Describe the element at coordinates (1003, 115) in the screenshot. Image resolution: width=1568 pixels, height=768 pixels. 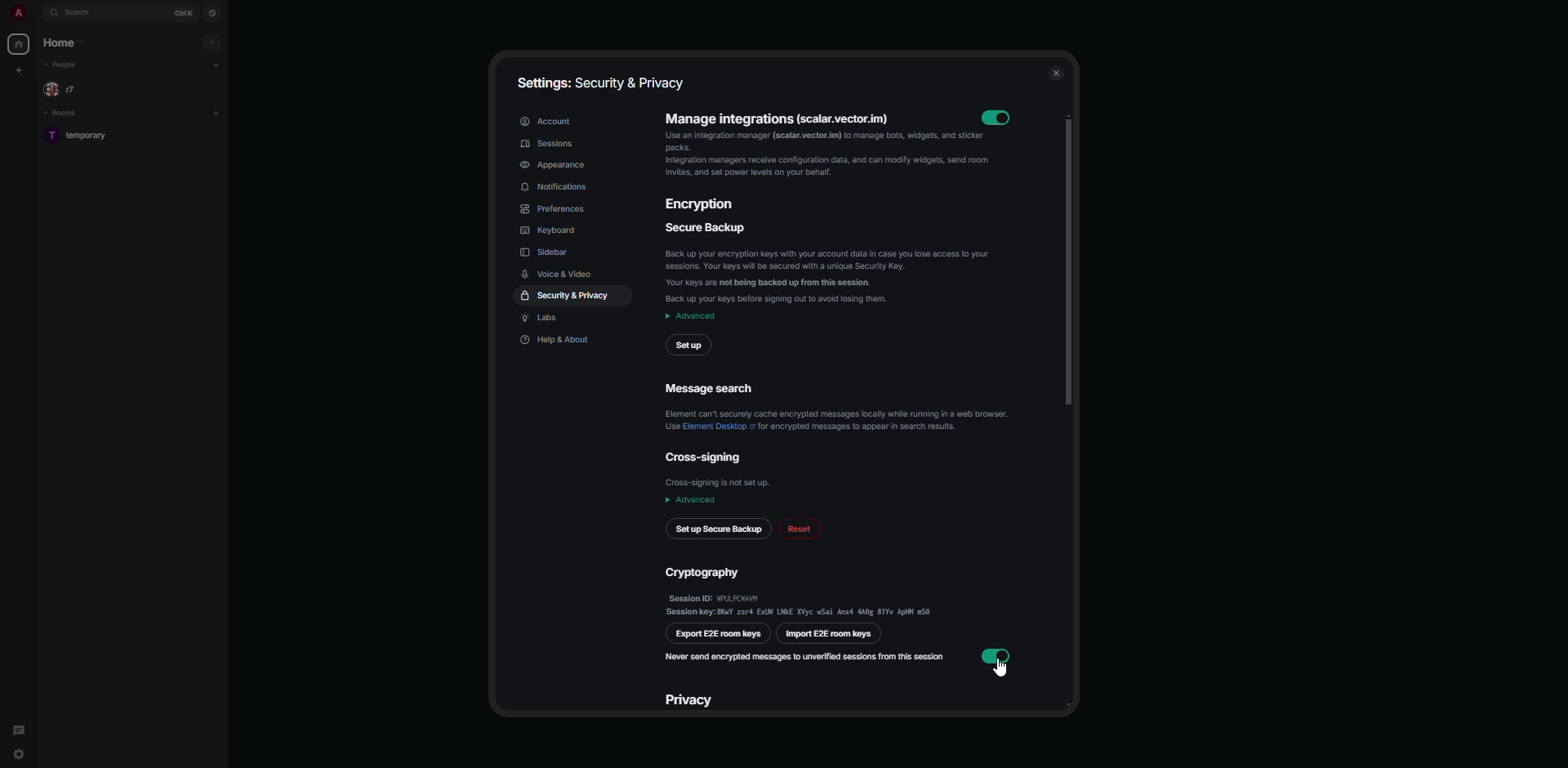
I see `enabled` at that location.